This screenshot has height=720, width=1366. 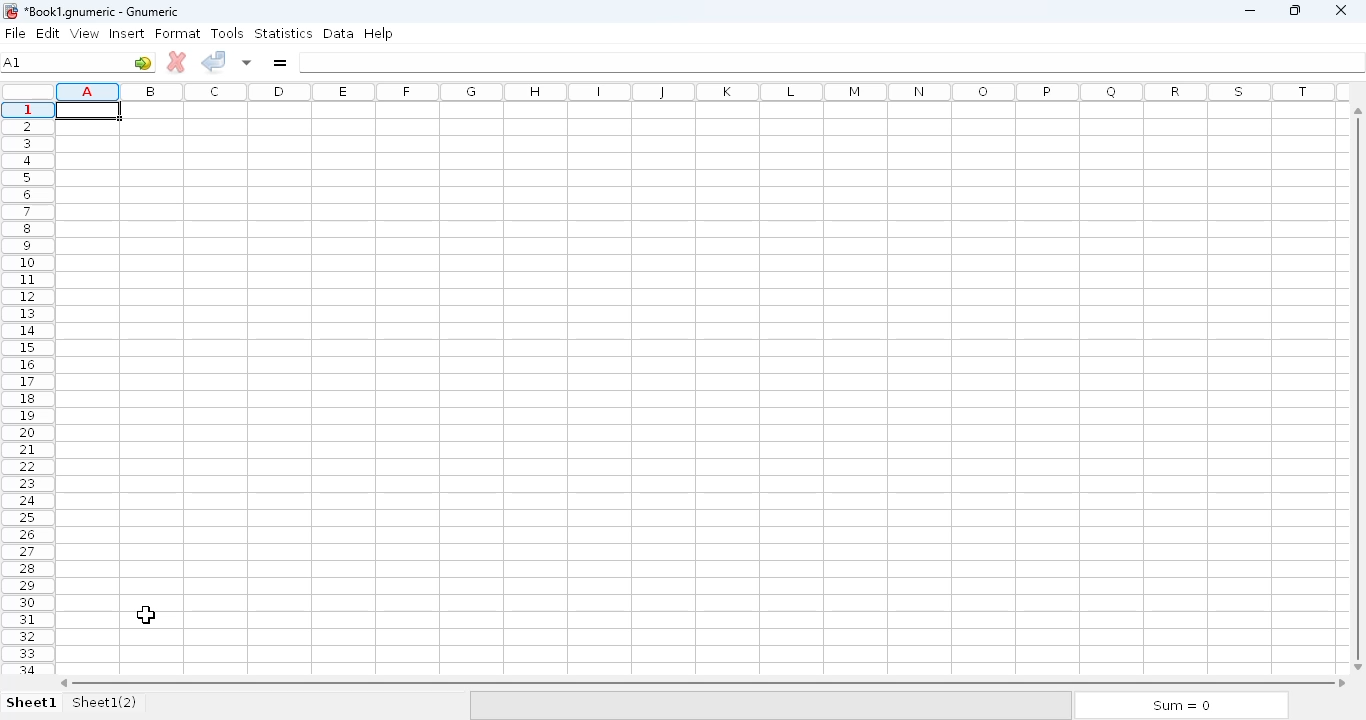 What do you see at coordinates (214, 61) in the screenshot?
I see `accept change` at bounding box center [214, 61].